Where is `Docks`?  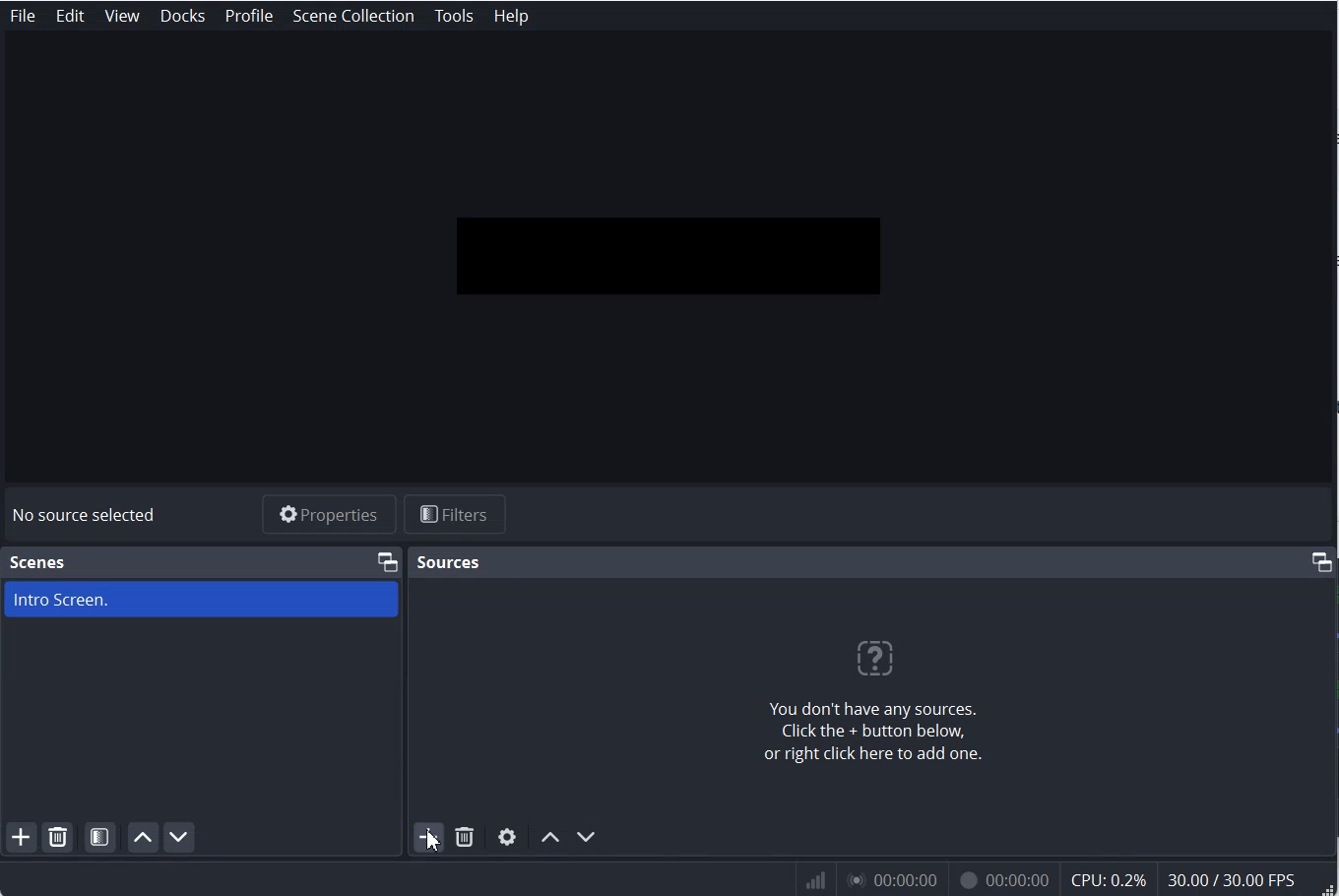 Docks is located at coordinates (184, 16).